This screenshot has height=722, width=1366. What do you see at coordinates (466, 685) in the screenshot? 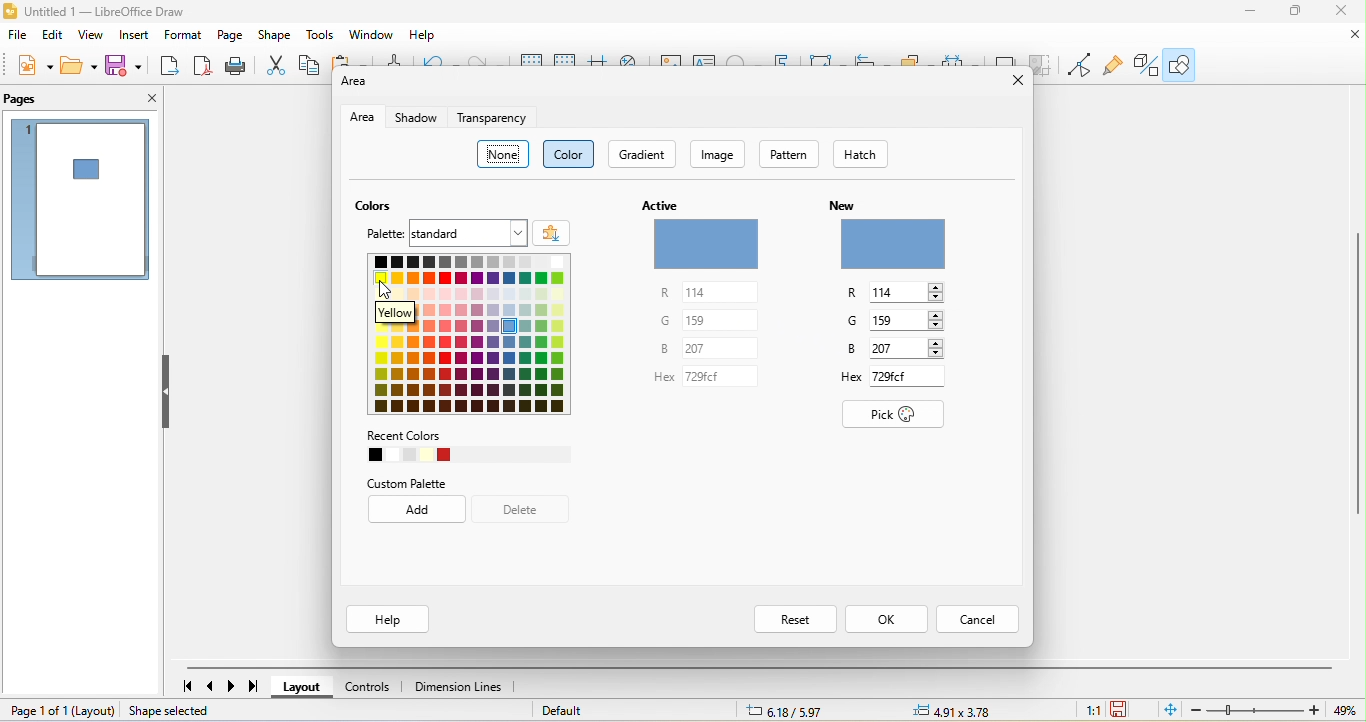
I see `dimension lines` at bounding box center [466, 685].